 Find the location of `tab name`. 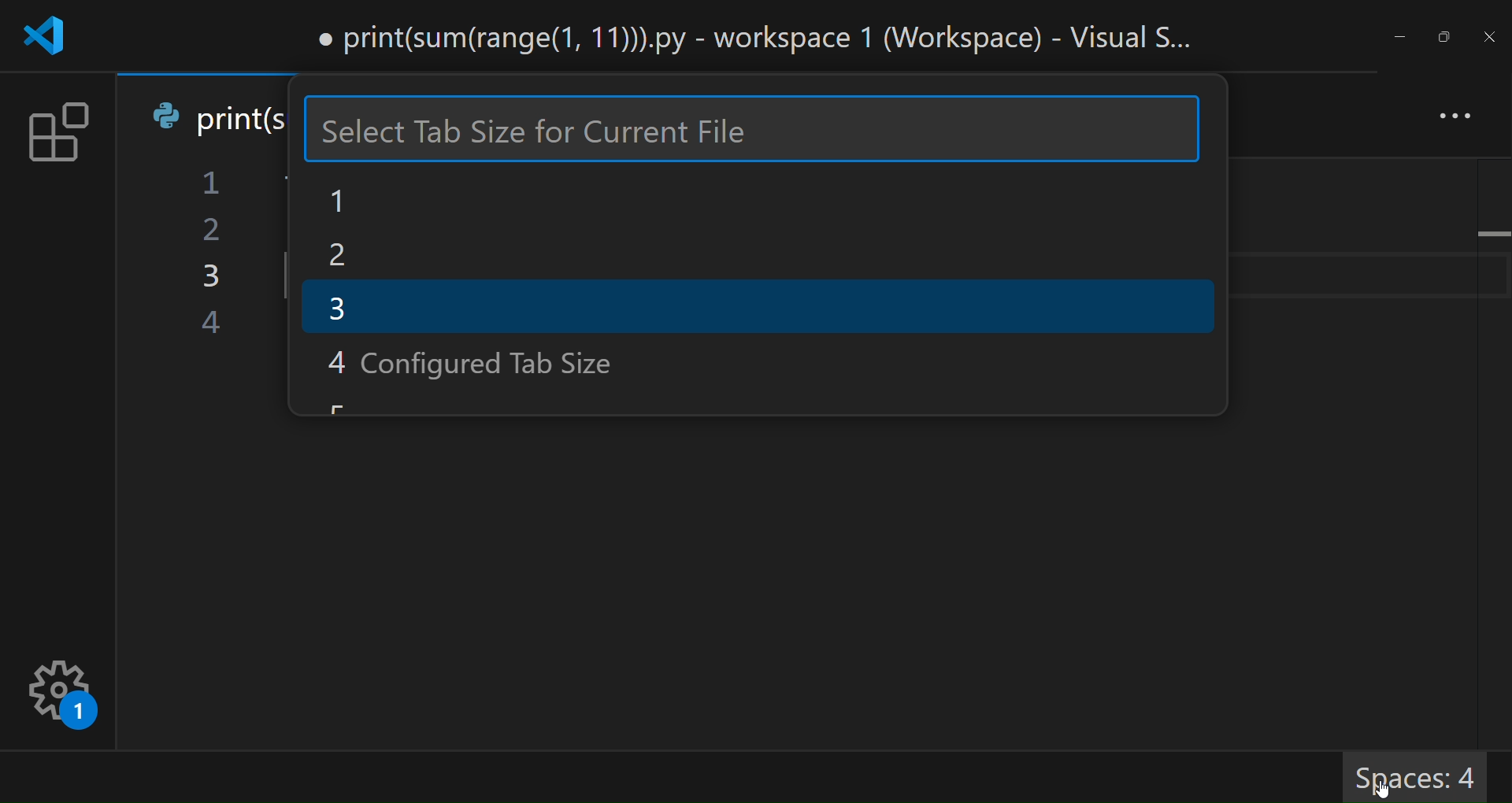

tab name is located at coordinates (217, 117).